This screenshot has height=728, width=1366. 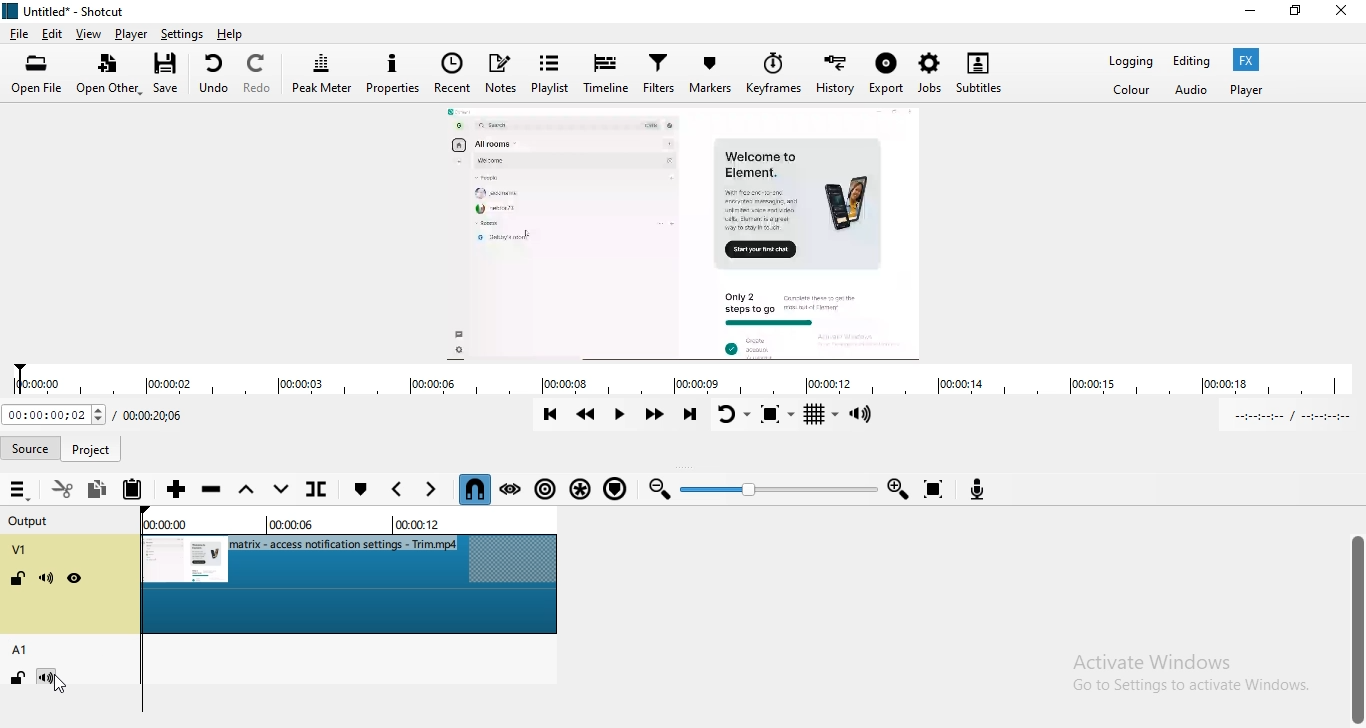 I want to click on Total duration, so click(x=155, y=415).